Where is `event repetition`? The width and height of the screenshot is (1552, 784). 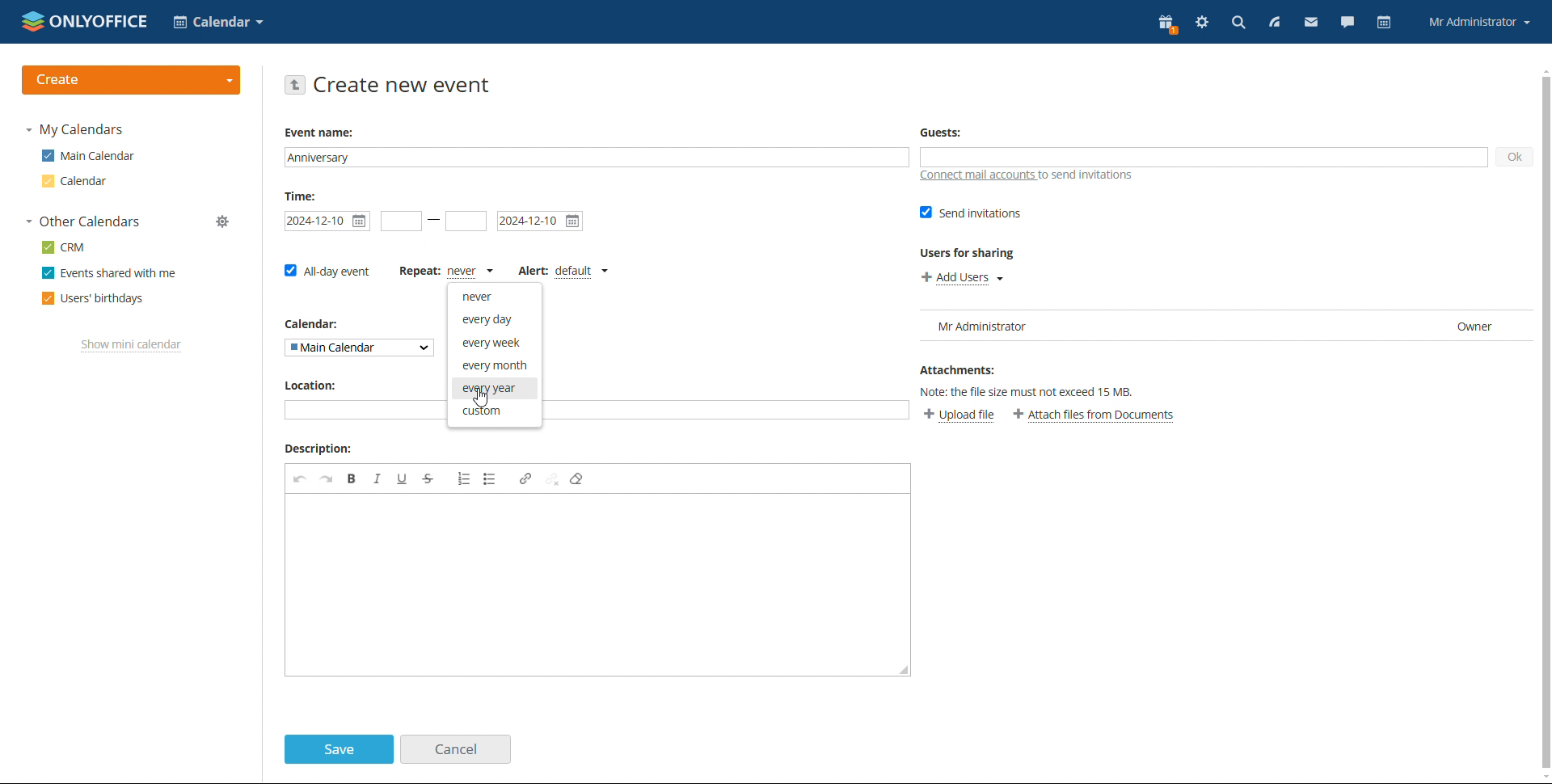
event repetition is located at coordinates (445, 271).